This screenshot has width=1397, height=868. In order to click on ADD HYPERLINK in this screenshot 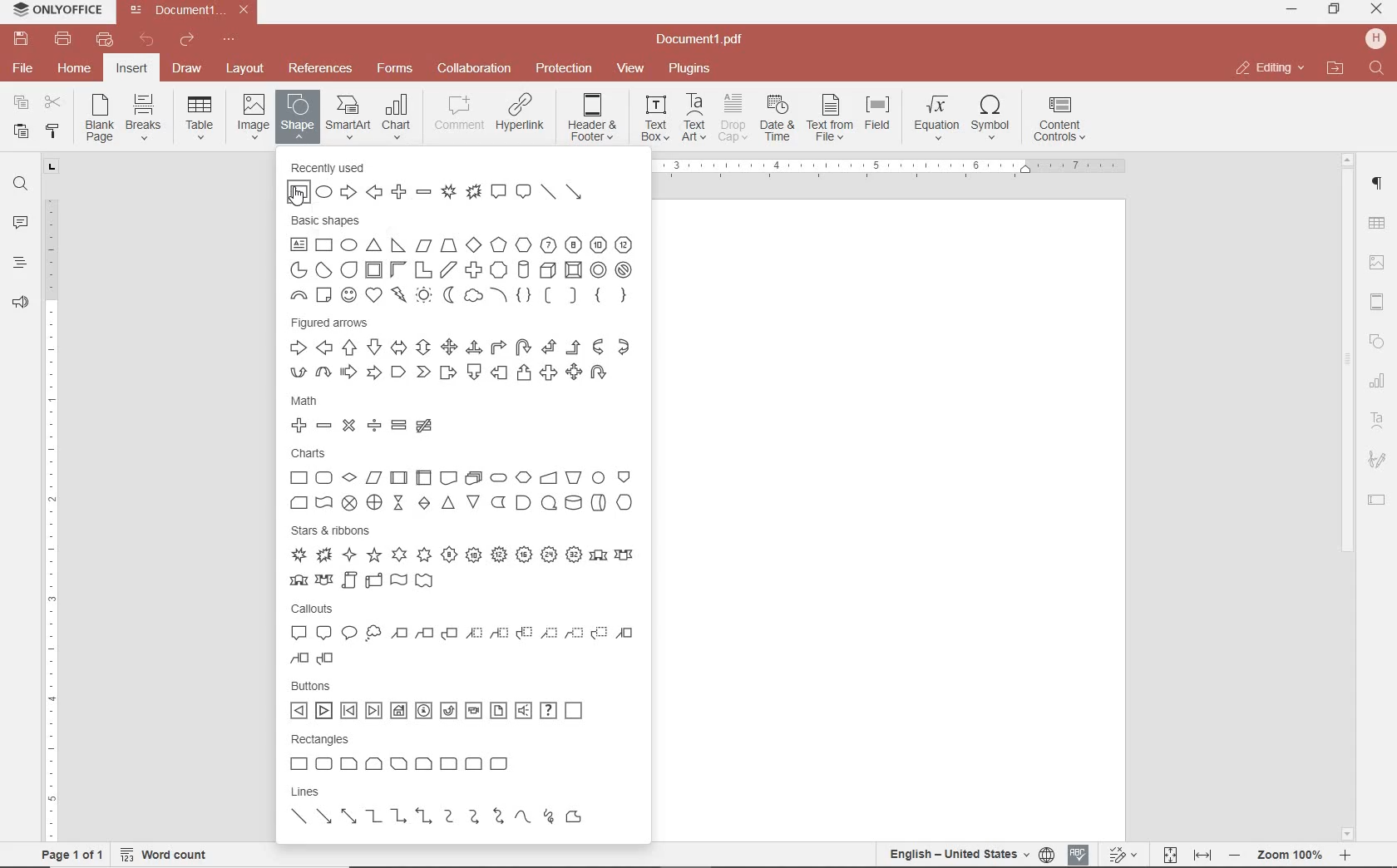, I will do `click(521, 116)`.